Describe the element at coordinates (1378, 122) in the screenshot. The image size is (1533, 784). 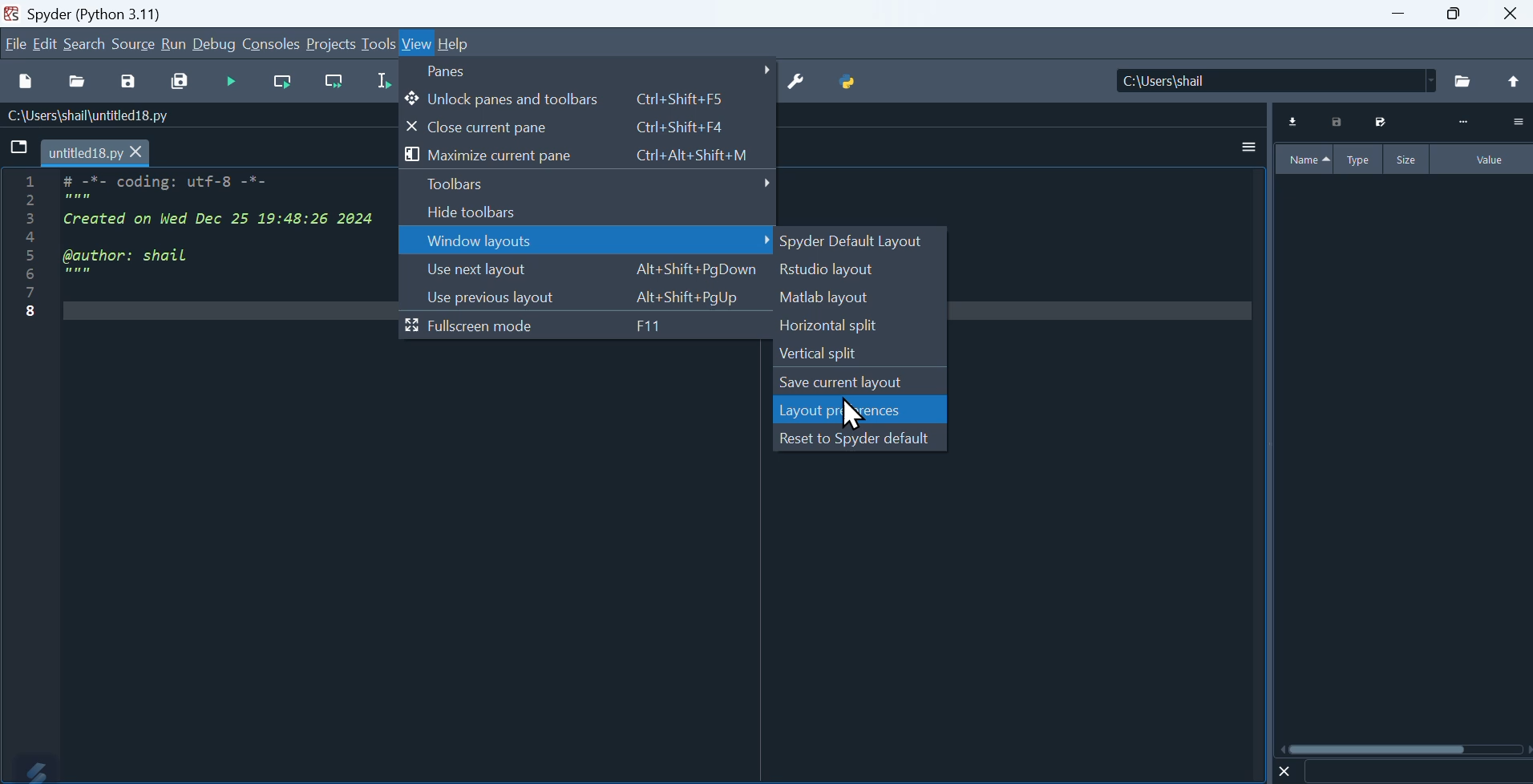
I see `Save` at that location.